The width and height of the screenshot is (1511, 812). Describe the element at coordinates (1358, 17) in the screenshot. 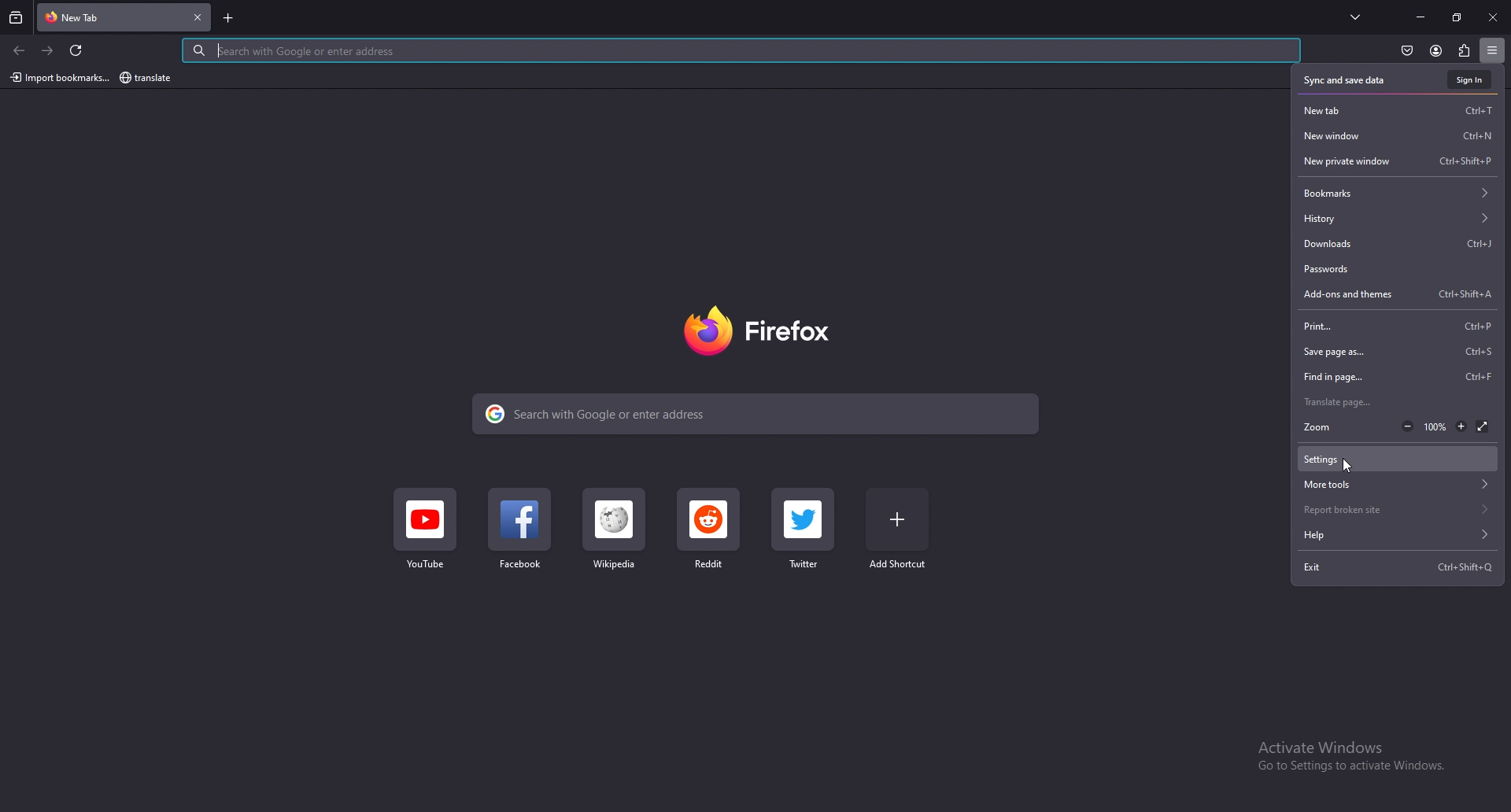

I see `list all tabs` at that location.